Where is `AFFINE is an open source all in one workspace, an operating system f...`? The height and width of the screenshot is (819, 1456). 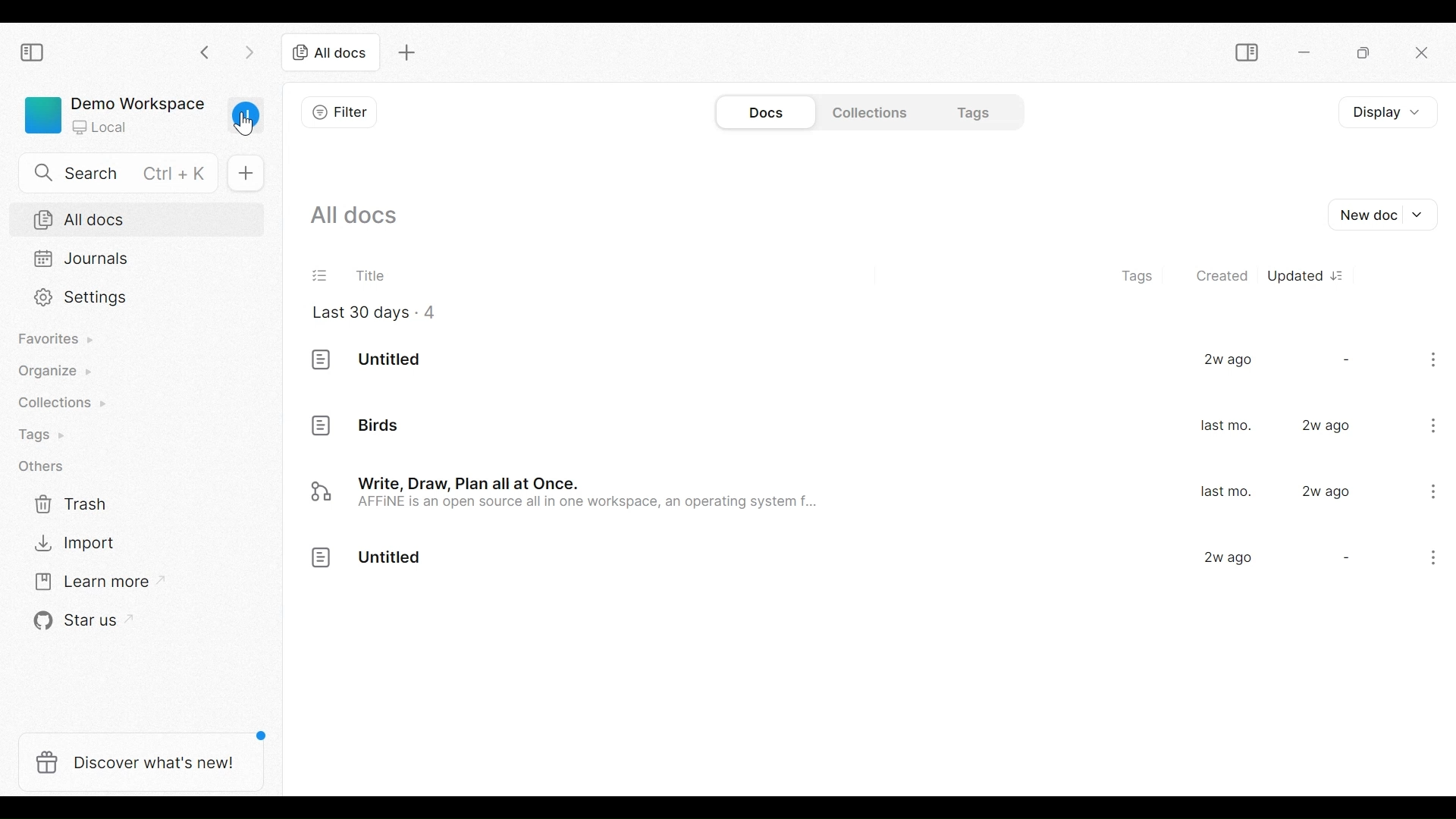 AFFINE is an open source all in one workspace, an operating system f... is located at coordinates (595, 506).